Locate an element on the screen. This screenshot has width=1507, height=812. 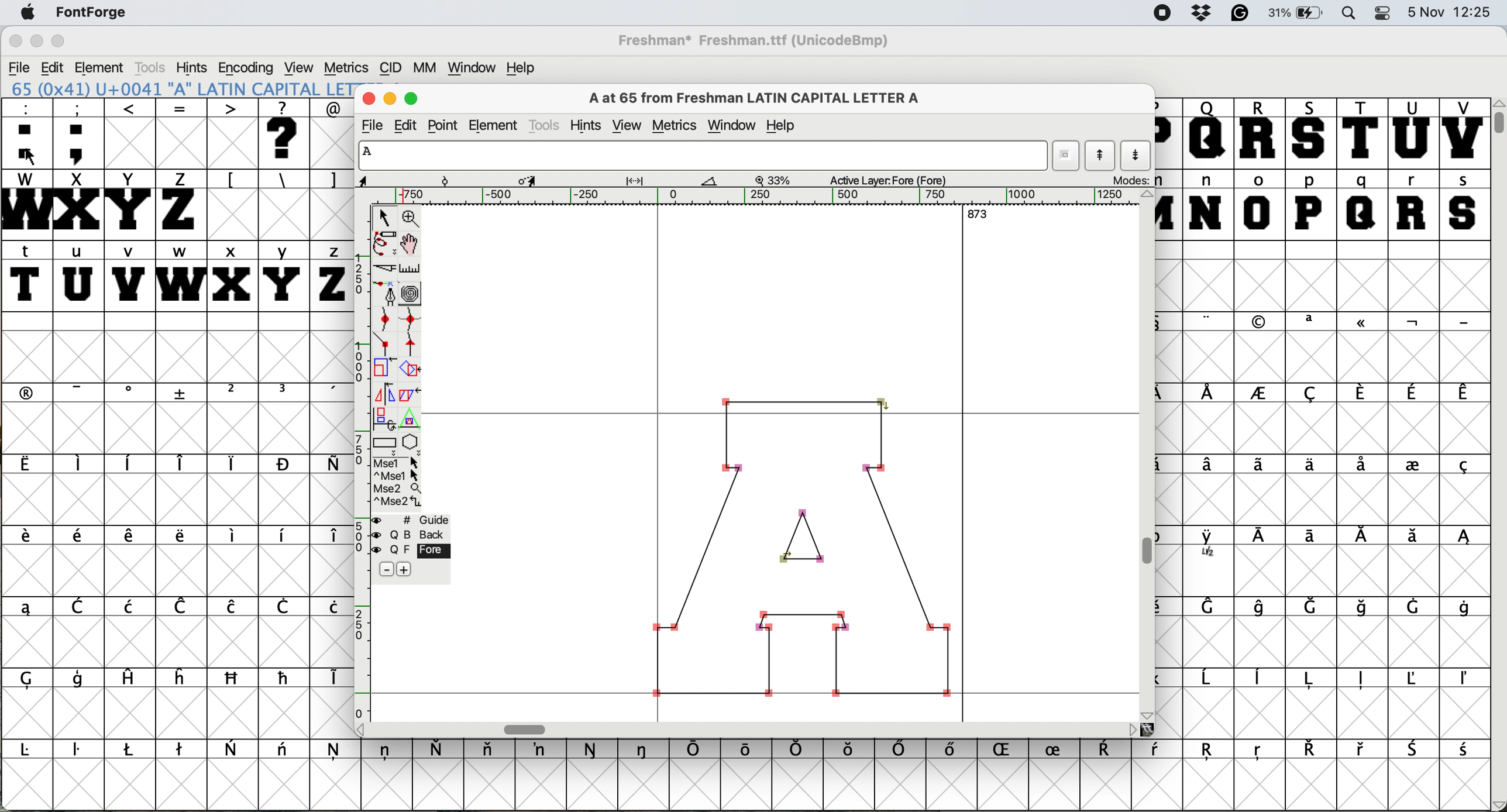
edit is located at coordinates (52, 67).